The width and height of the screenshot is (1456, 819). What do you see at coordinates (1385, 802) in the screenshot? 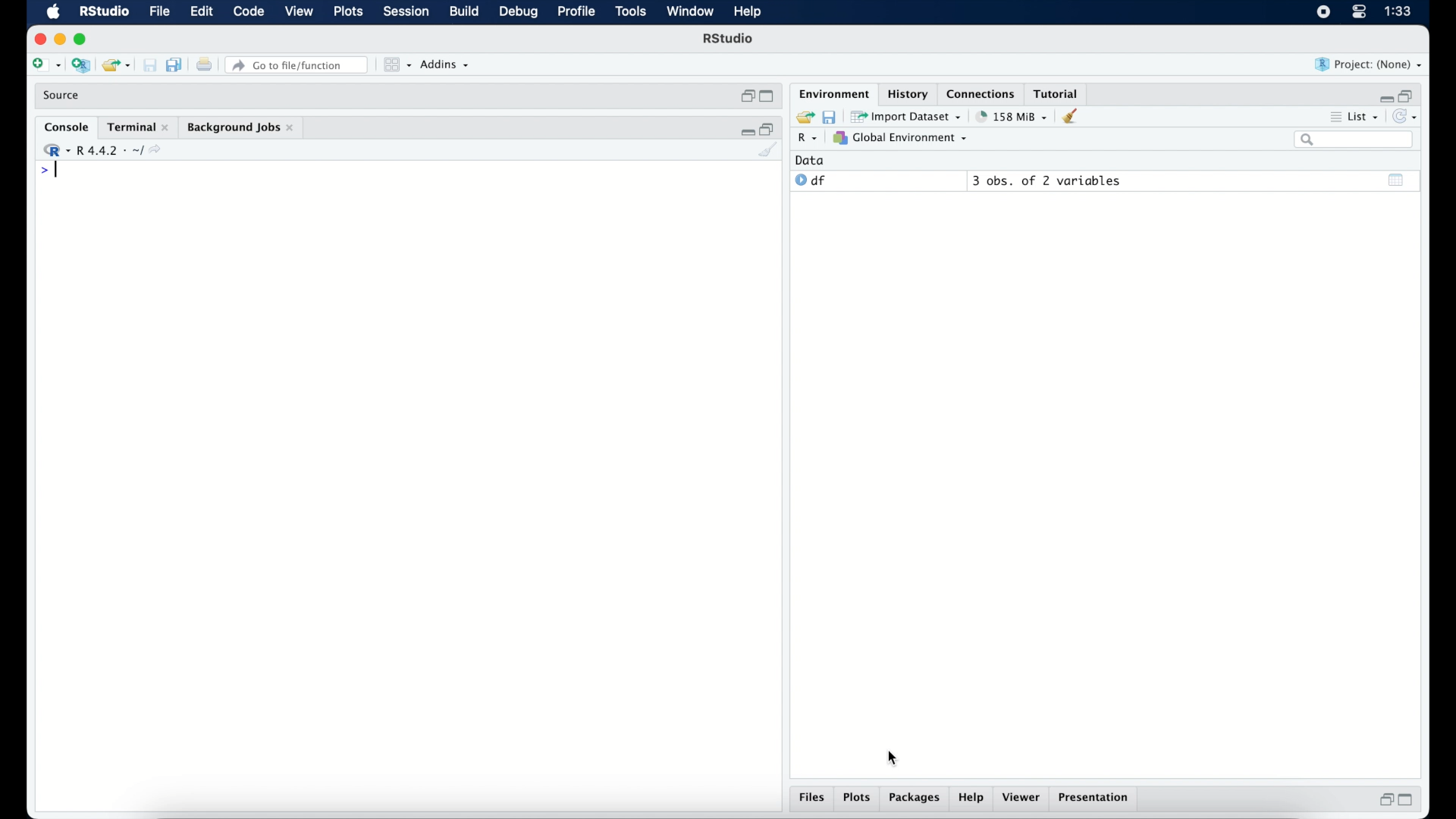
I see `restore down` at bounding box center [1385, 802].